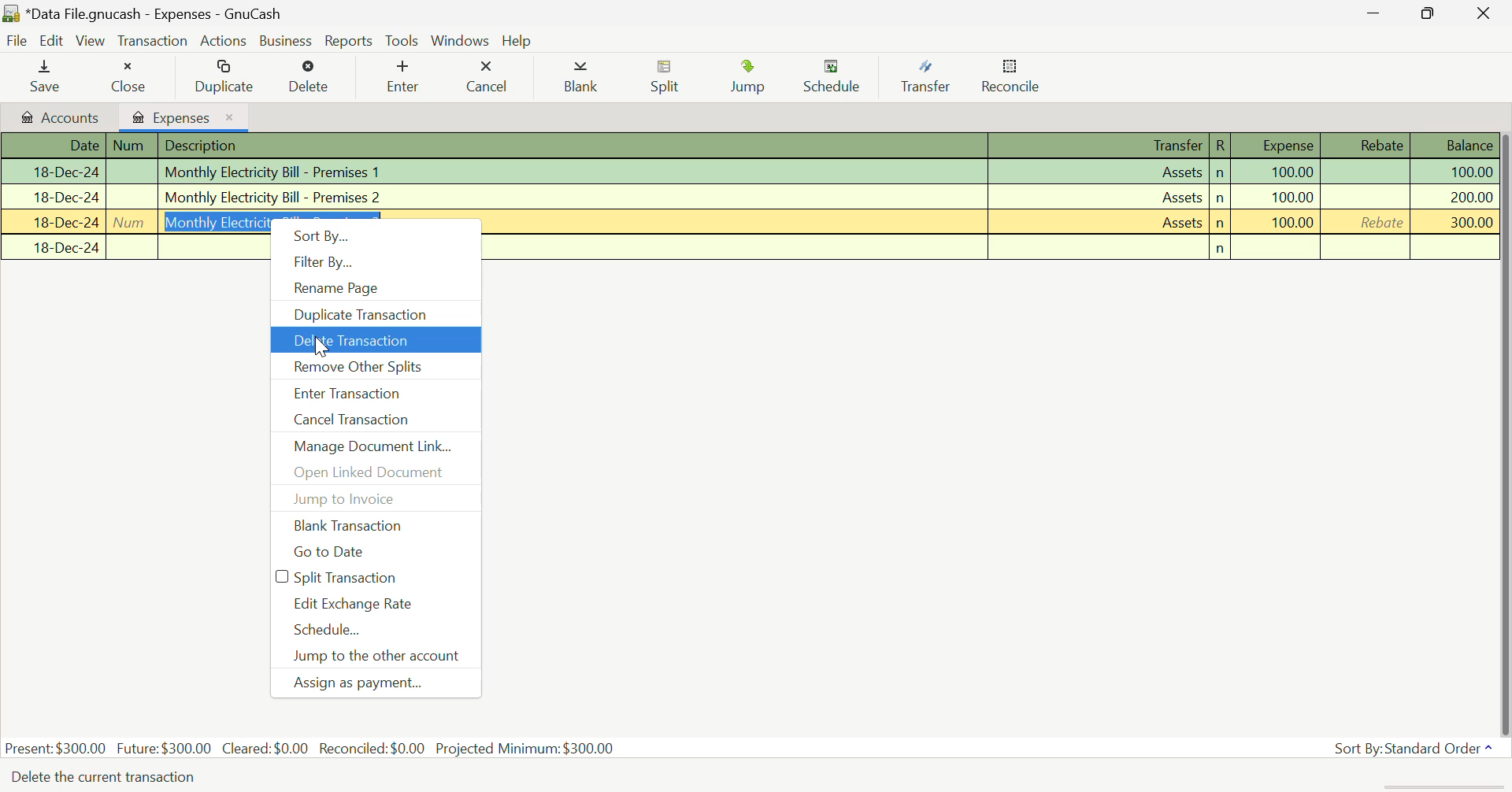 Image resolution: width=1512 pixels, height=792 pixels. I want to click on New Transaction Entry Row, so click(131, 248).